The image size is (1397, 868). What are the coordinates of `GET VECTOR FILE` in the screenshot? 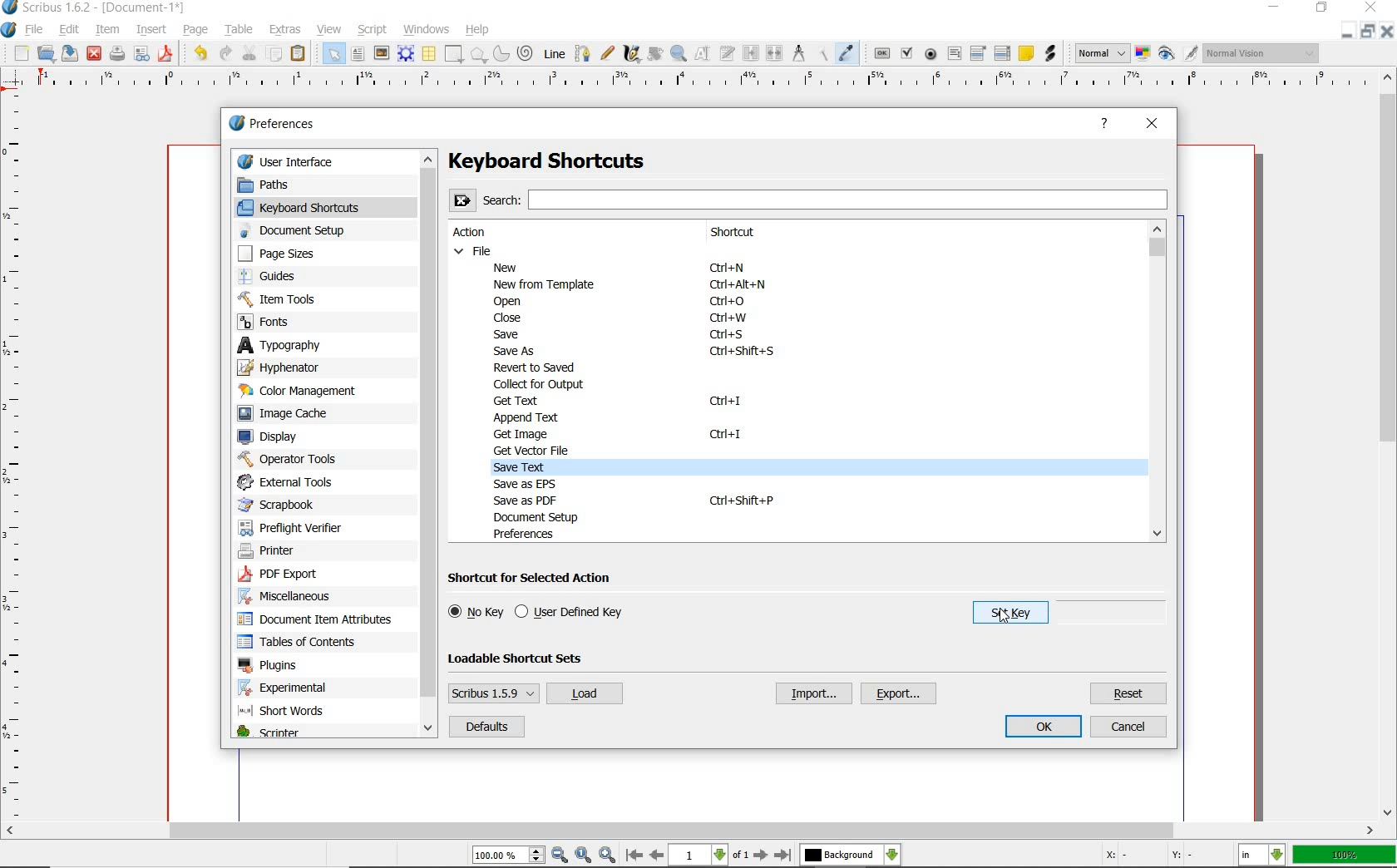 It's located at (535, 450).